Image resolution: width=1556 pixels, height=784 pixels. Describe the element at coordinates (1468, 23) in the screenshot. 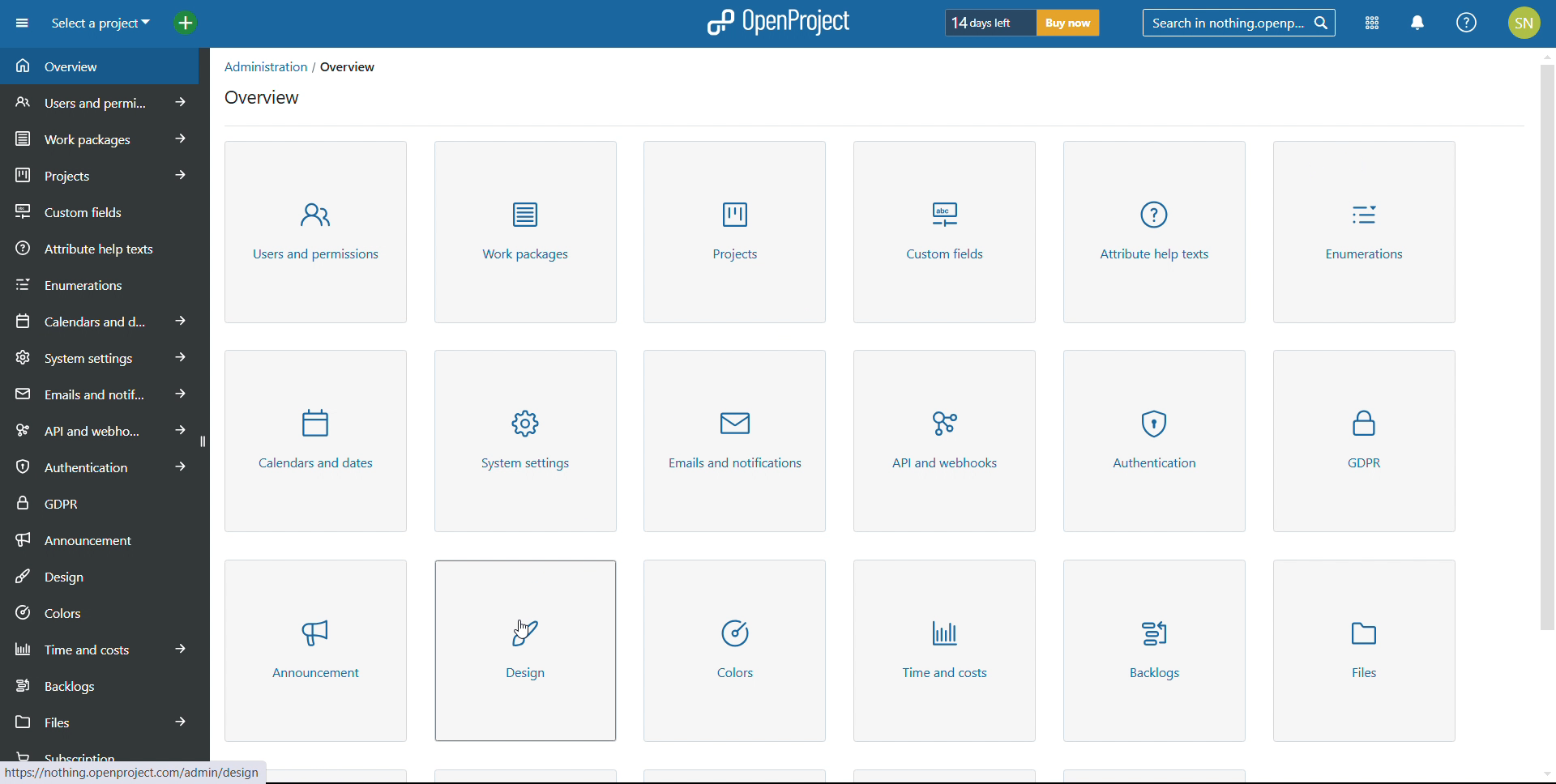

I see `help` at that location.